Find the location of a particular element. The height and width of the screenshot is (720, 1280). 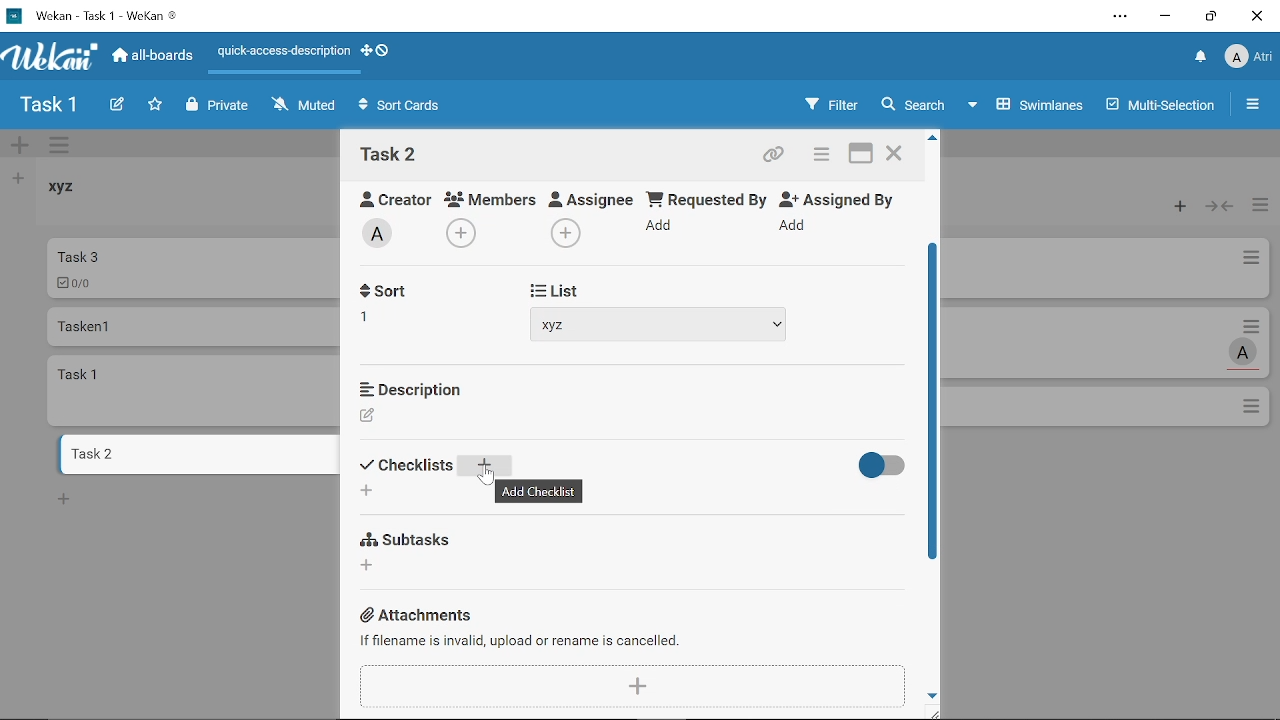

Description is located at coordinates (410, 387).